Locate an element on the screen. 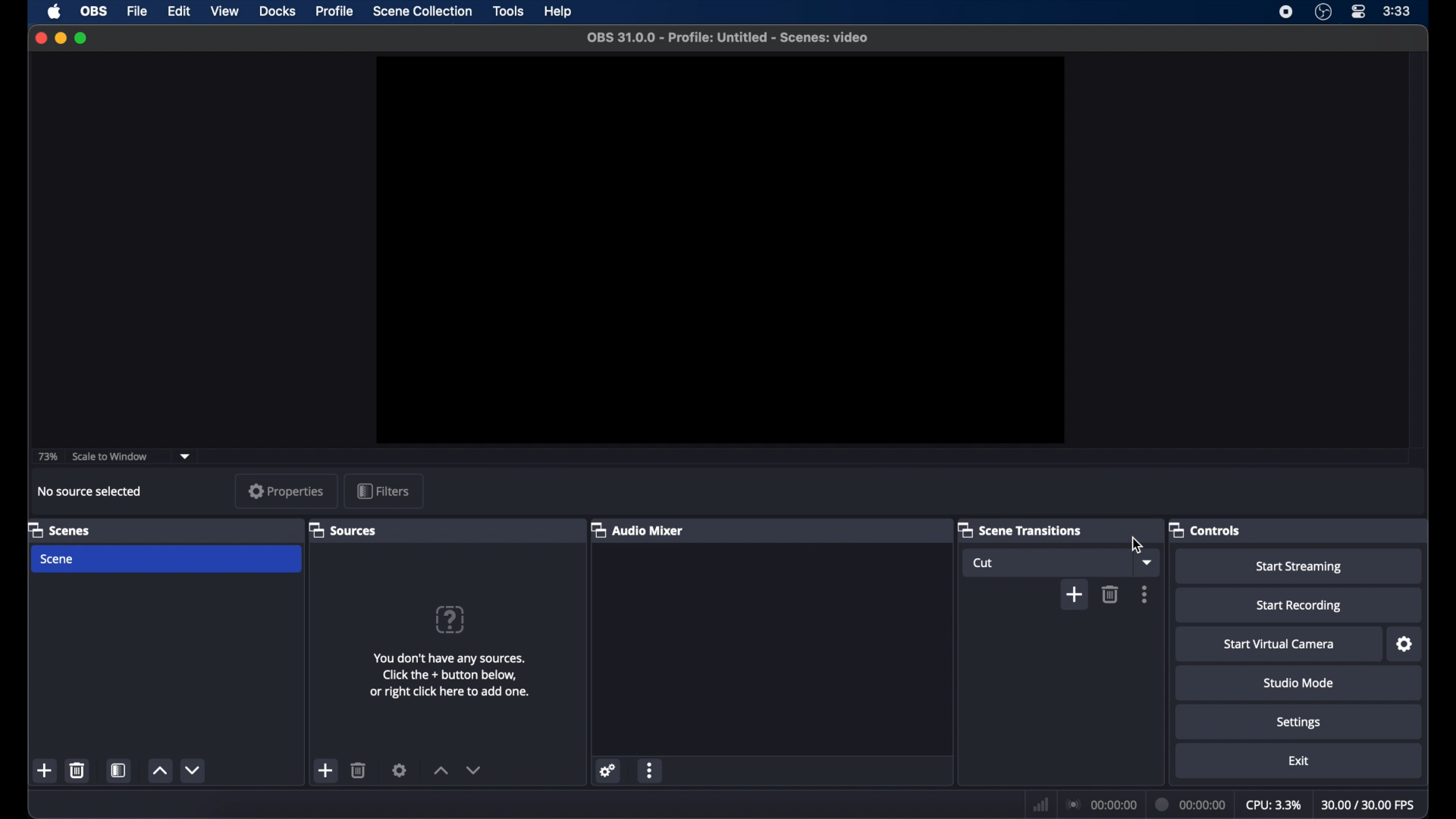 This screenshot has height=819, width=1456. down is located at coordinates (193, 770).